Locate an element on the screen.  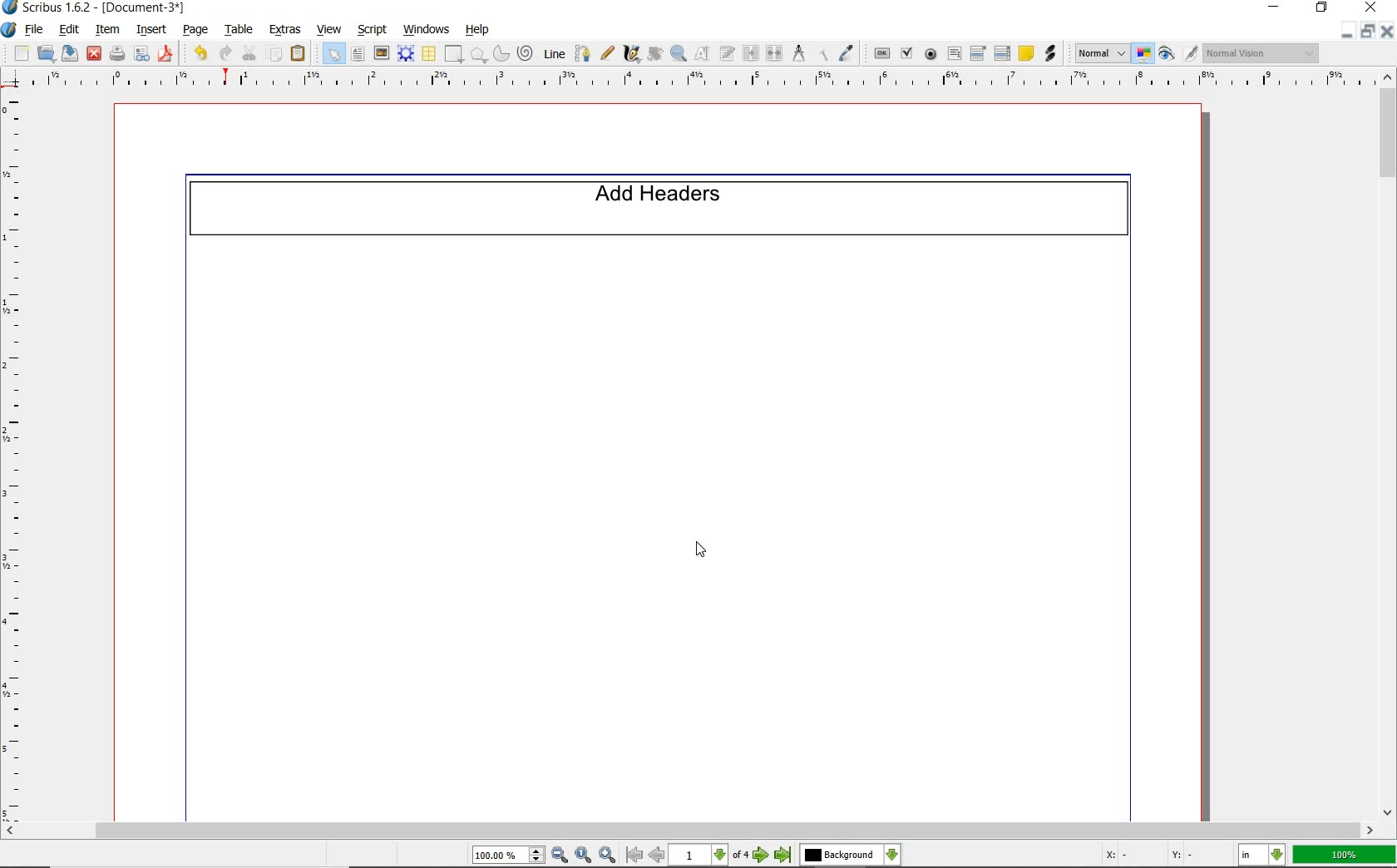
Ruler is located at coordinates (704, 81).